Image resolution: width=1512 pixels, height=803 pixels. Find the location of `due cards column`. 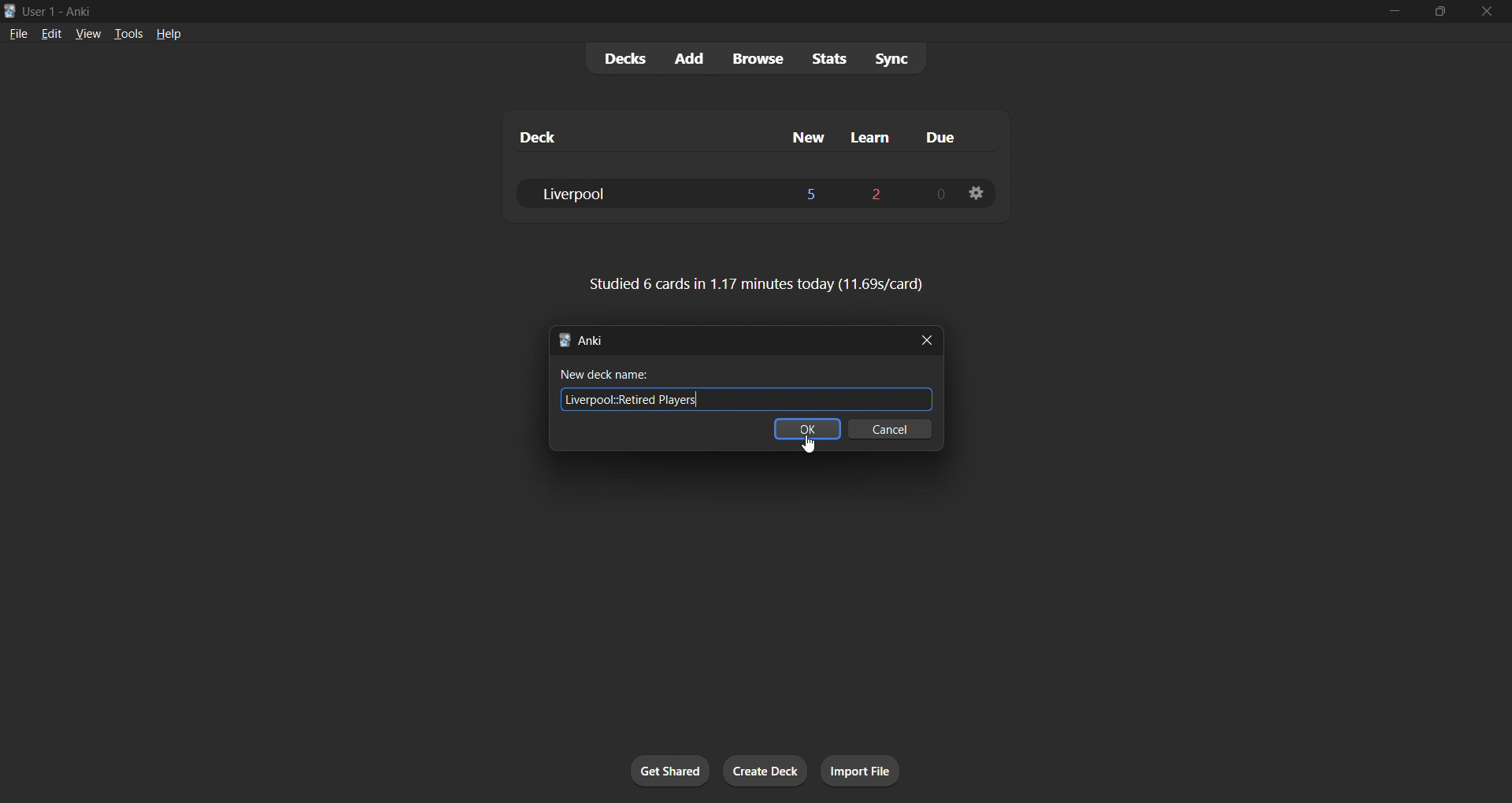

due cards column is located at coordinates (946, 141).